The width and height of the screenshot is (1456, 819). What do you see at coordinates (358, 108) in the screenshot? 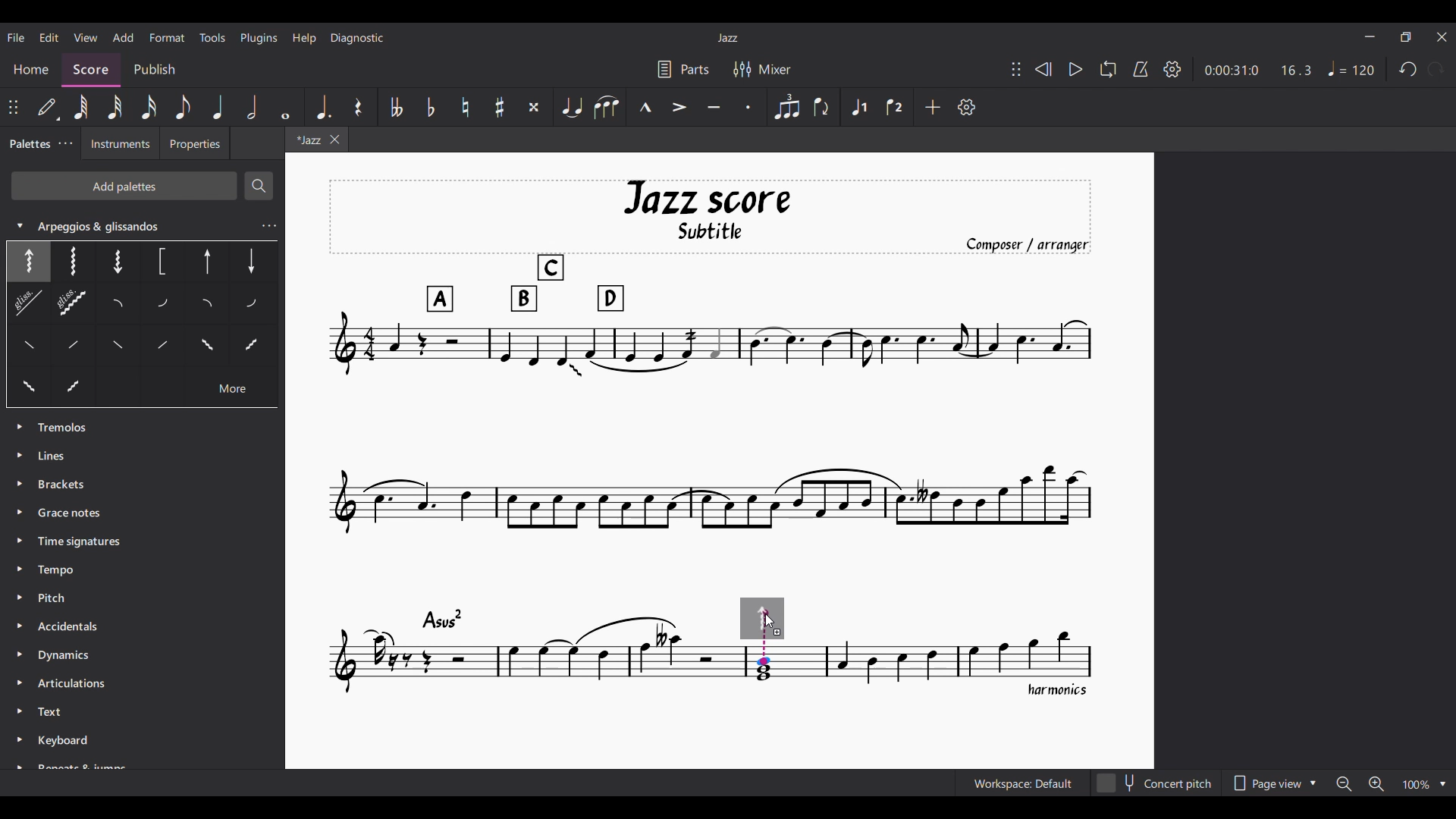
I see `Rest` at bounding box center [358, 108].